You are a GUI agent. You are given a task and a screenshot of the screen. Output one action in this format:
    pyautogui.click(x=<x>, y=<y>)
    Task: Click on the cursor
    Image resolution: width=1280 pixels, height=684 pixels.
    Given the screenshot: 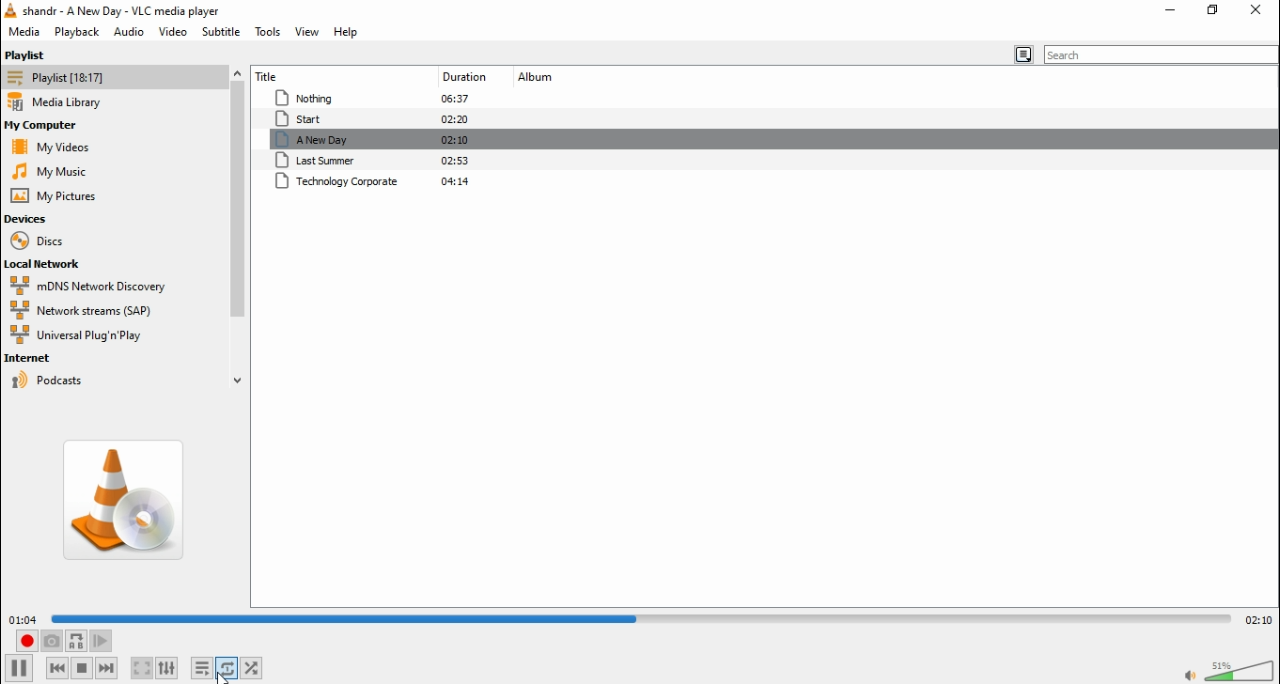 What is the action you would take?
    pyautogui.click(x=224, y=676)
    